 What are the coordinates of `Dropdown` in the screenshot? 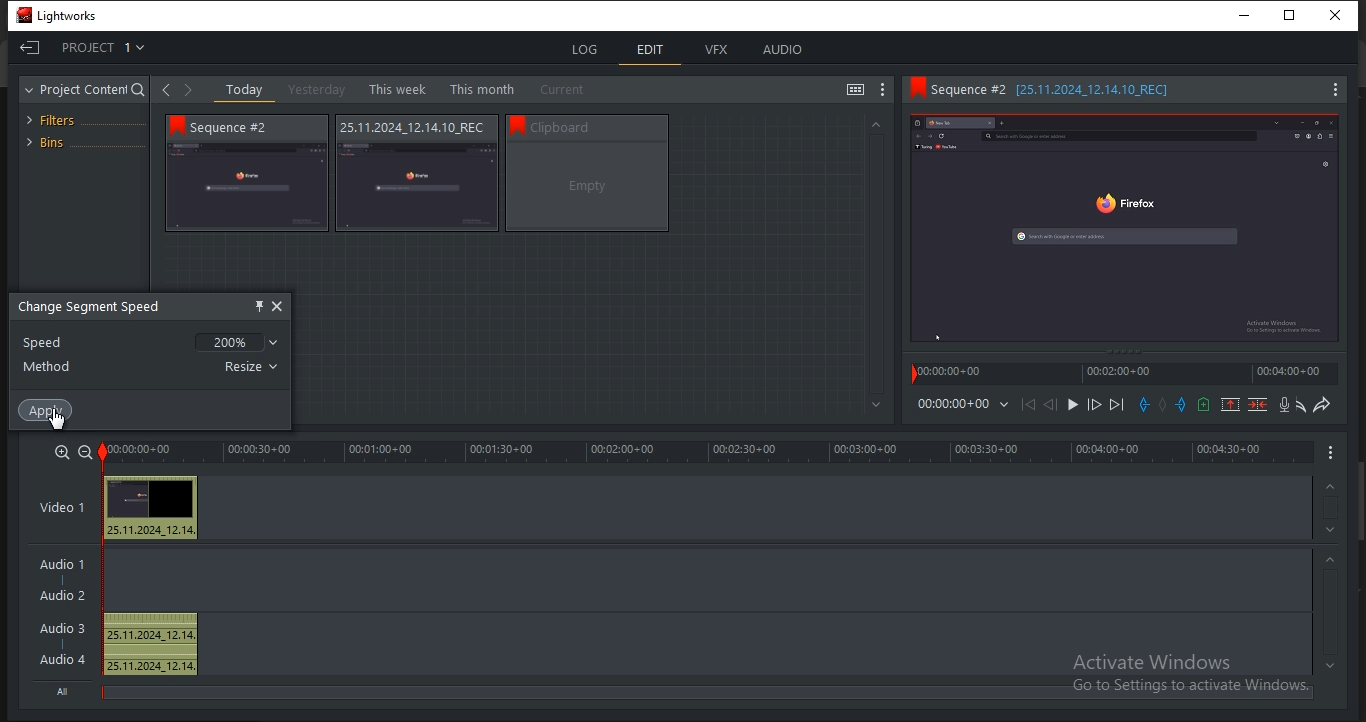 It's located at (1001, 407).